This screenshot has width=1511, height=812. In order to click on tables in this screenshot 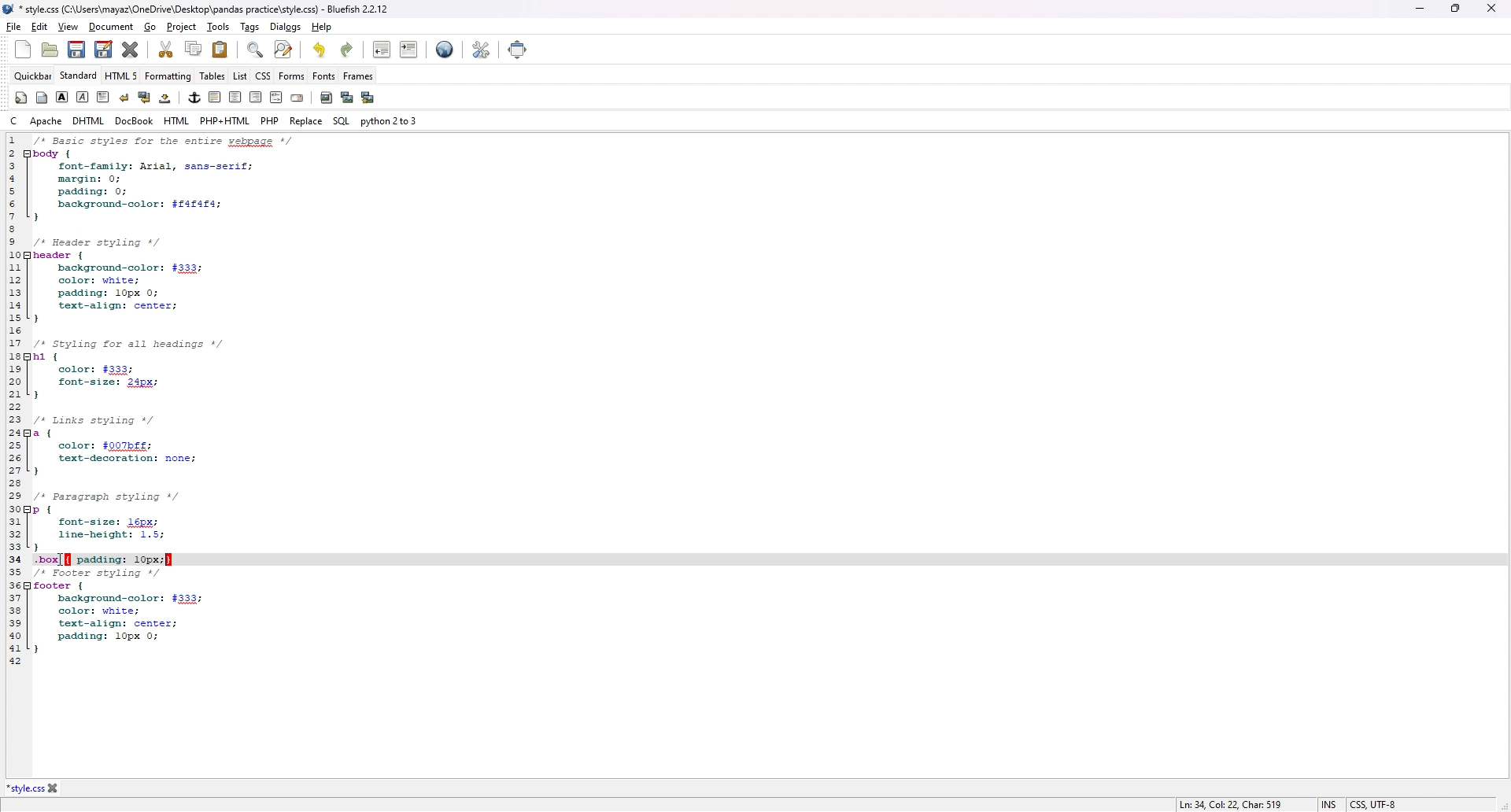, I will do `click(212, 76)`.